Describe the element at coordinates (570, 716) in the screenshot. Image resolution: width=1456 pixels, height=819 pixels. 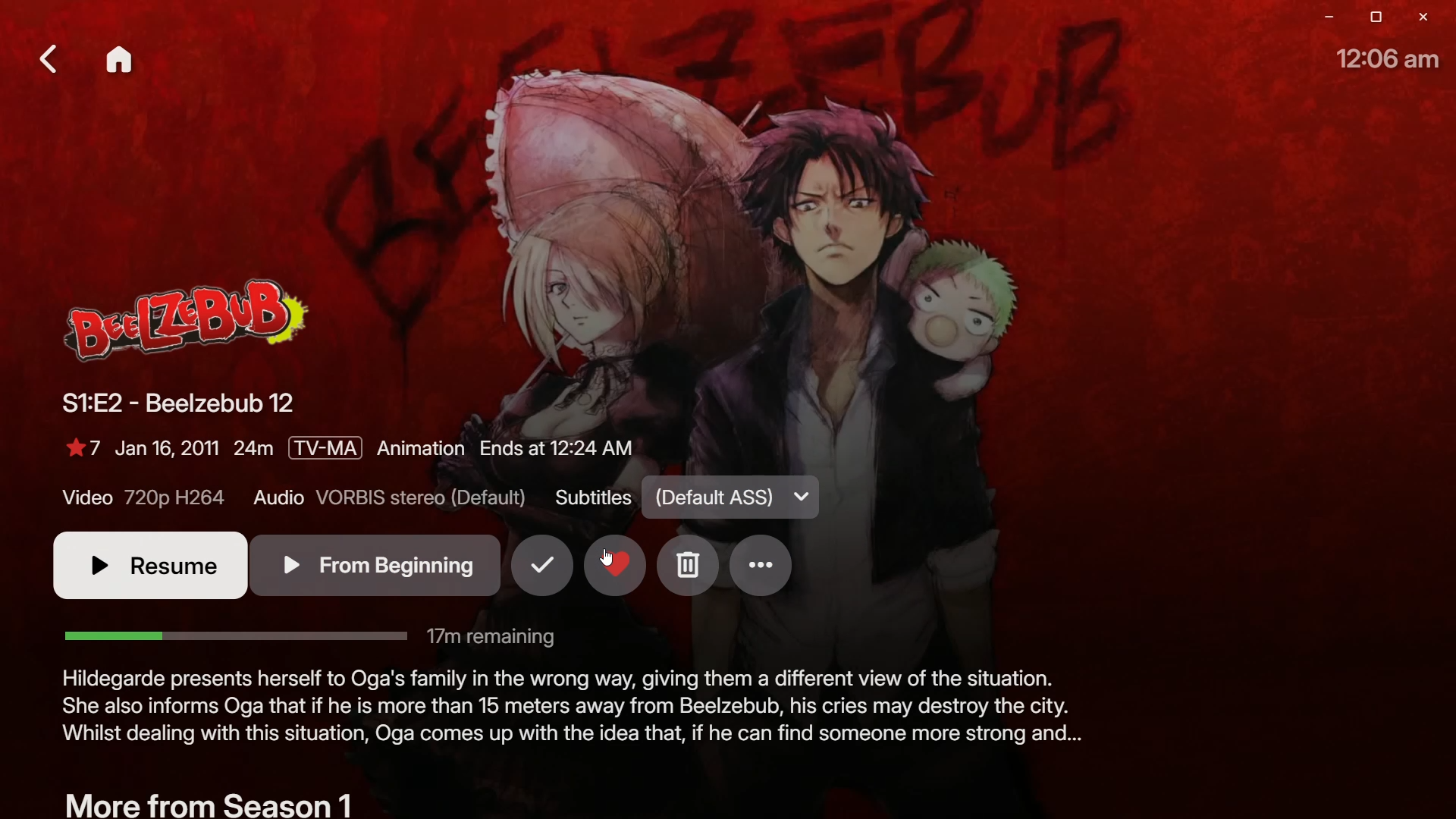
I see `Synopsis` at that location.